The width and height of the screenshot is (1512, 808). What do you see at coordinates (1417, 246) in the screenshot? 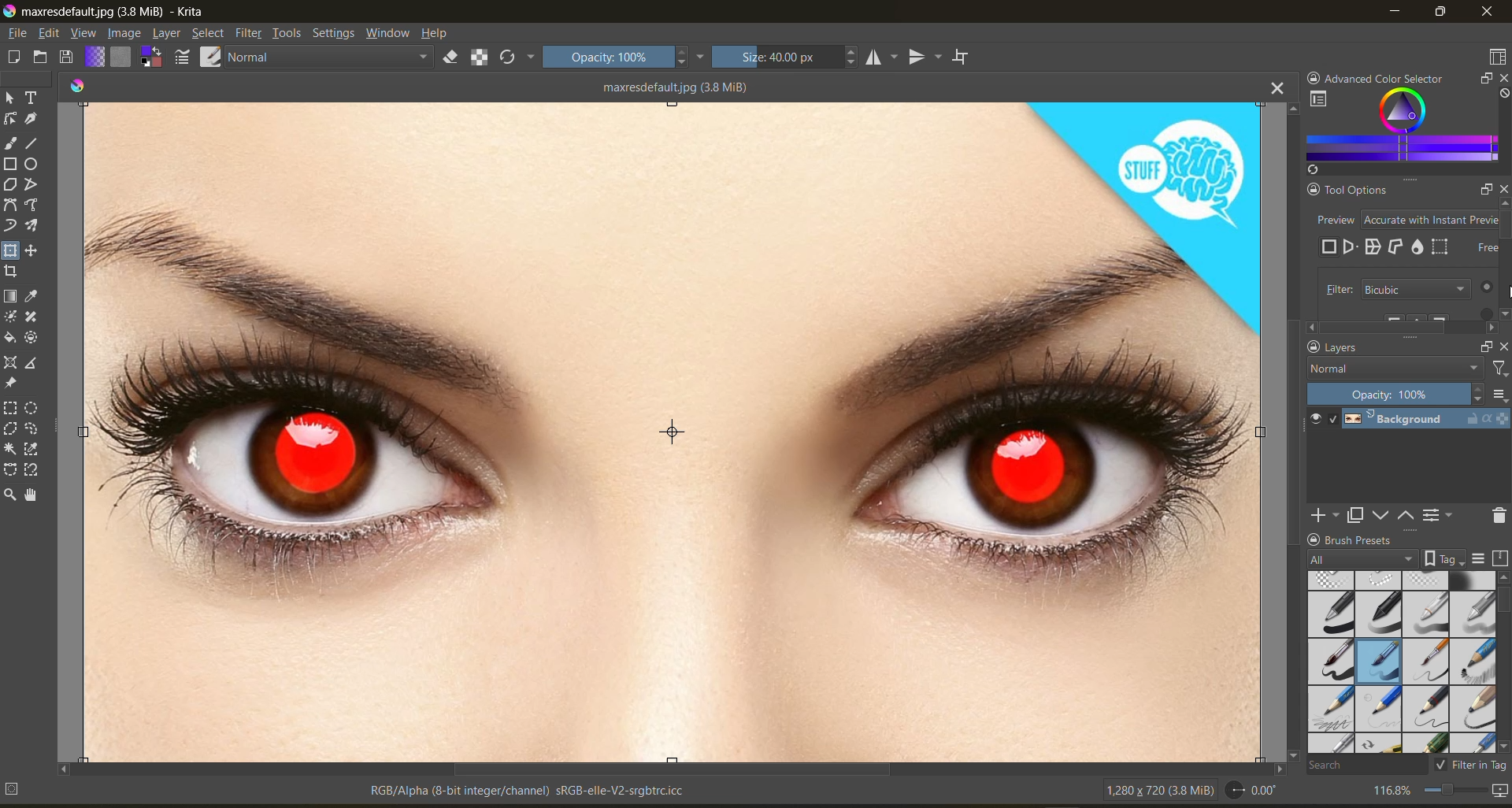
I see `liquify` at bounding box center [1417, 246].